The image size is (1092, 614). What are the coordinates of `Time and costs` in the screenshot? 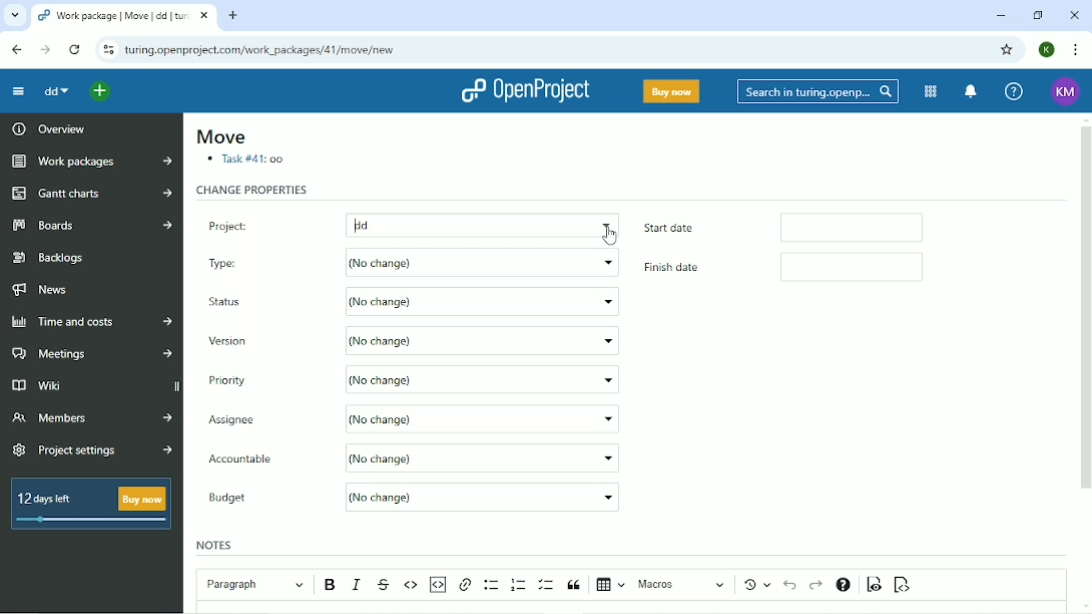 It's located at (92, 322).